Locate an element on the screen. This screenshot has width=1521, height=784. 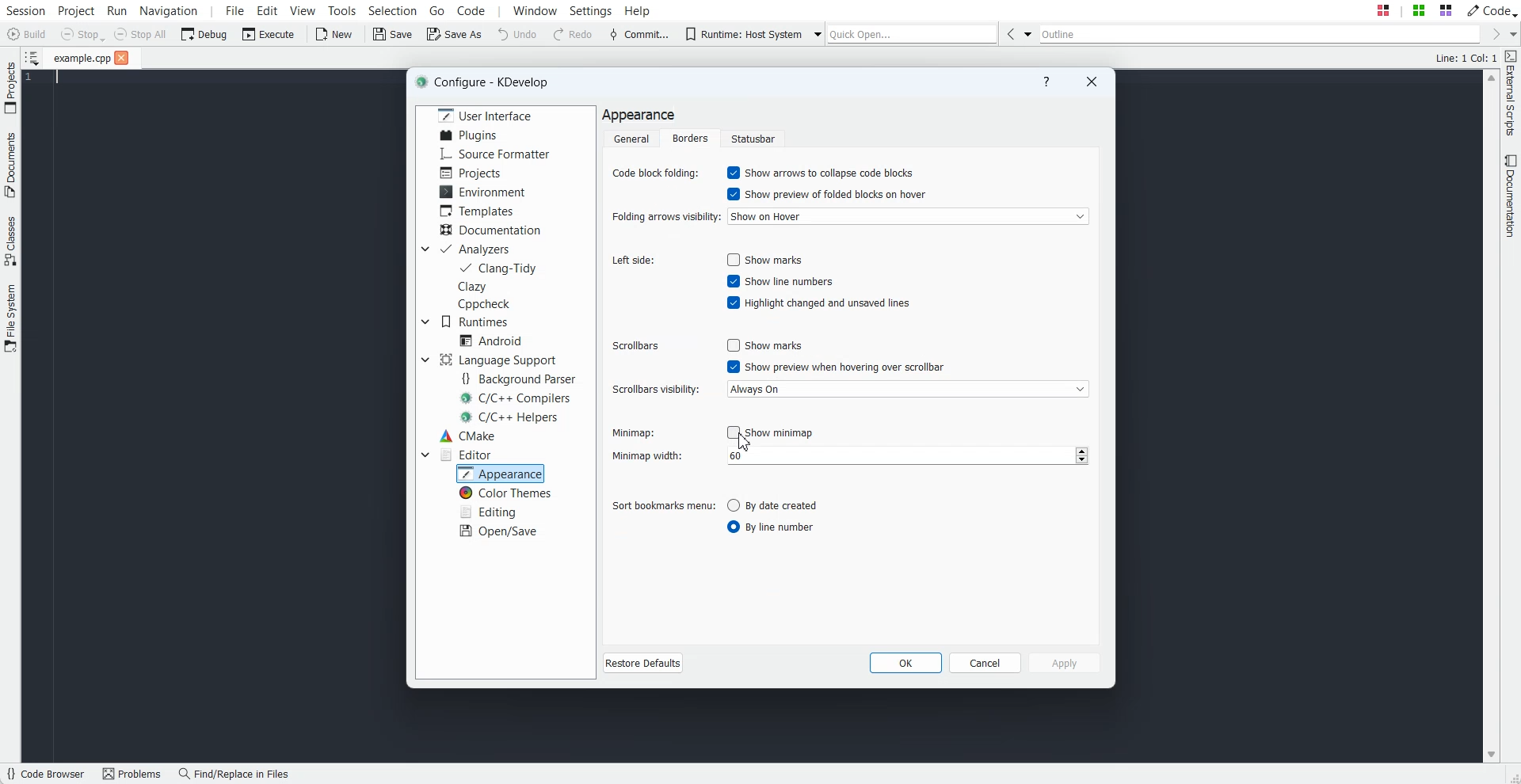
Drop down box is located at coordinates (814, 33).